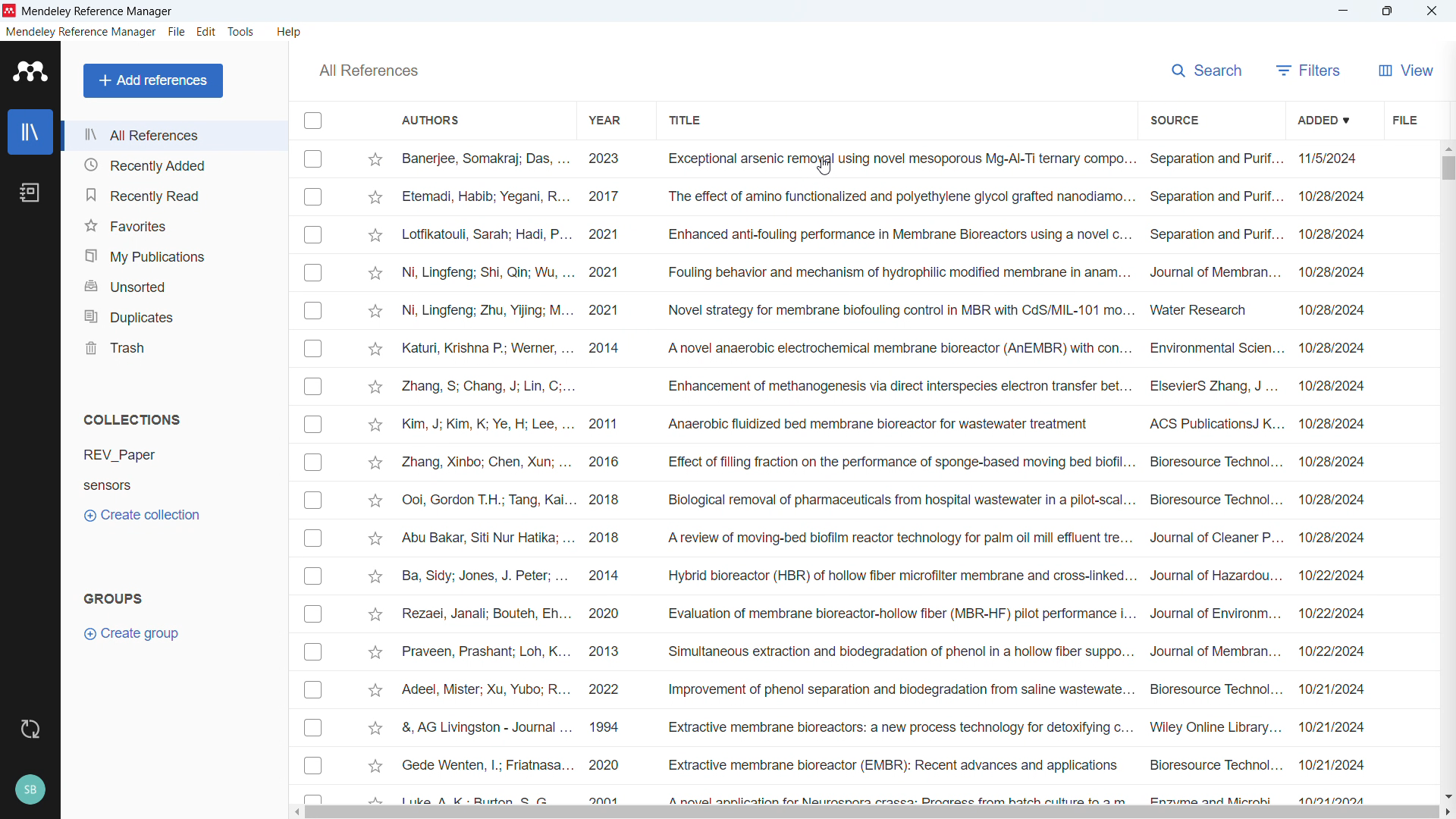 The height and width of the screenshot is (819, 1456). I want to click on environmental science, so click(1213, 351).